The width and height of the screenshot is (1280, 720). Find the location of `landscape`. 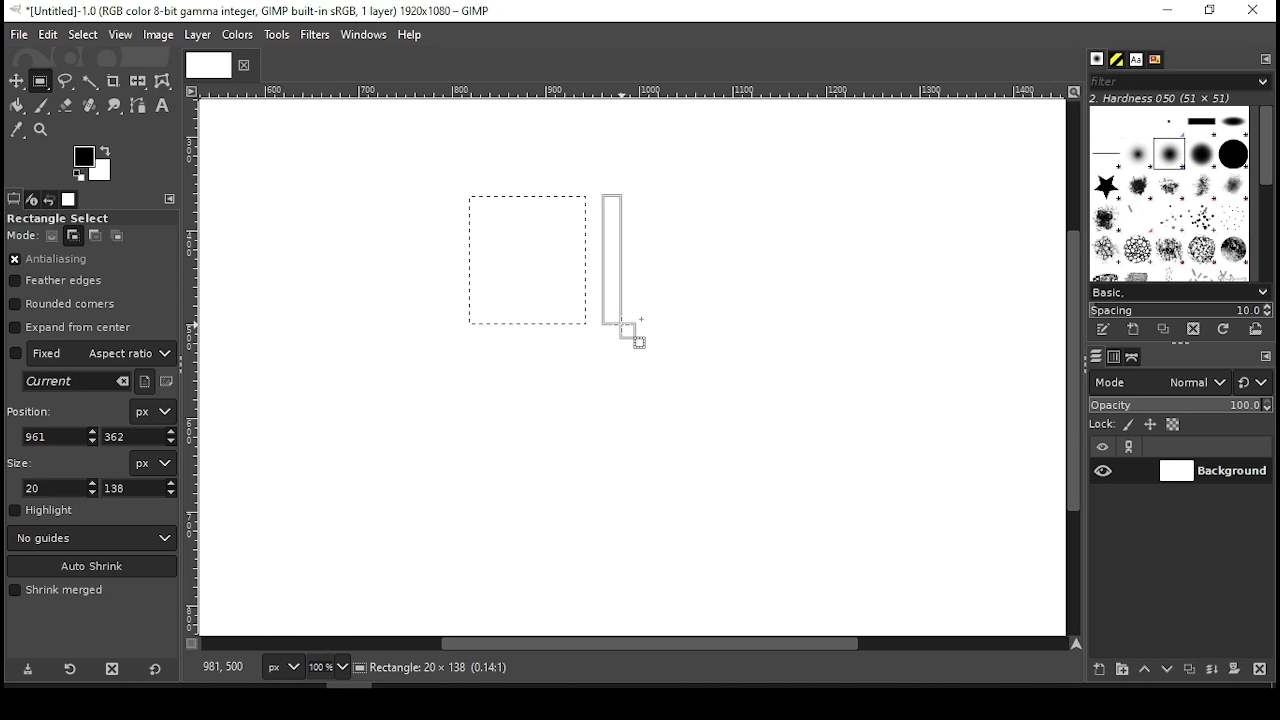

landscape is located at coordinates (168, 383).